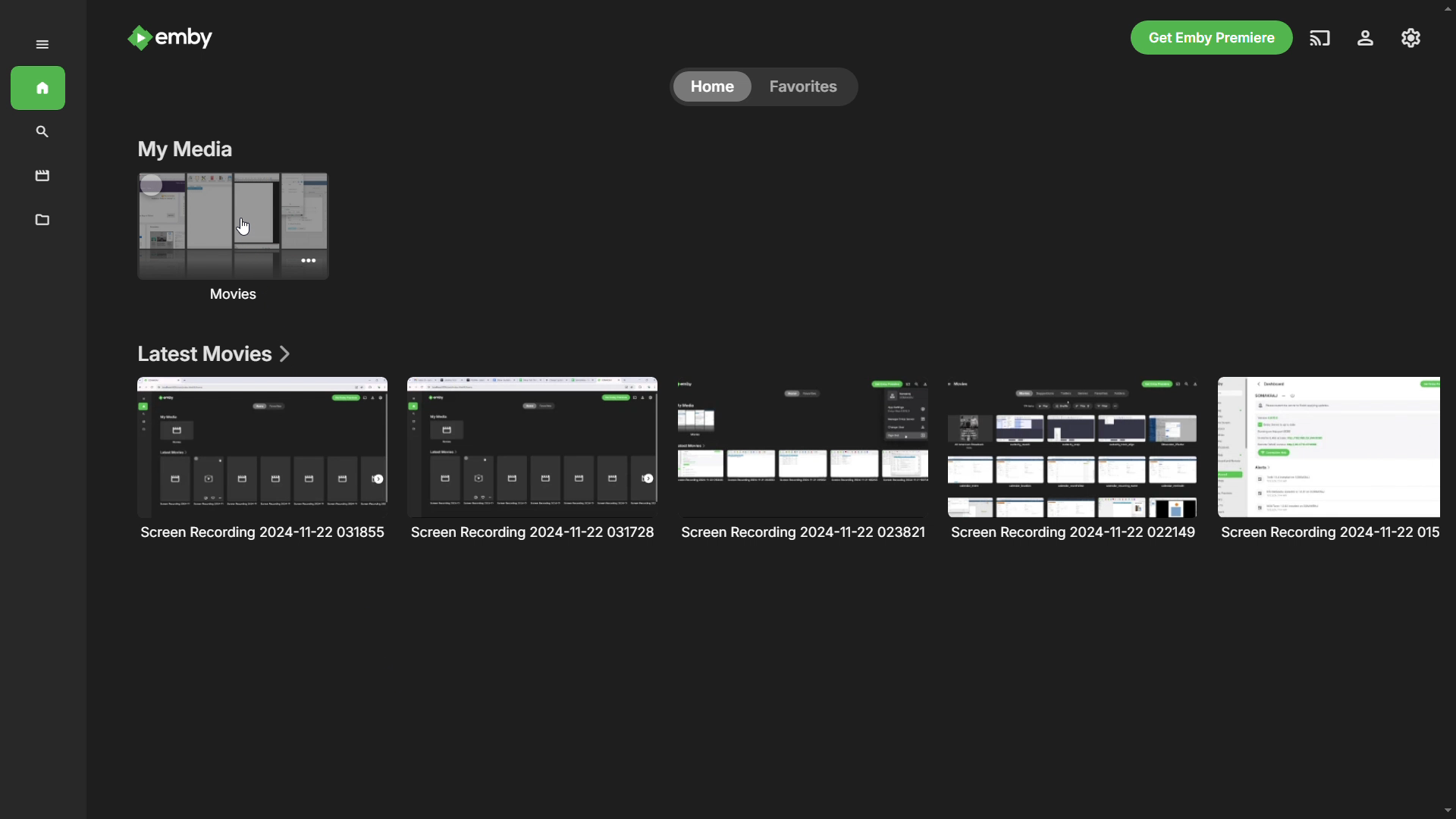 Image resolution: width=1456 pixels, height=819 pixels. I want to click on list of movies, so click(262, 460).